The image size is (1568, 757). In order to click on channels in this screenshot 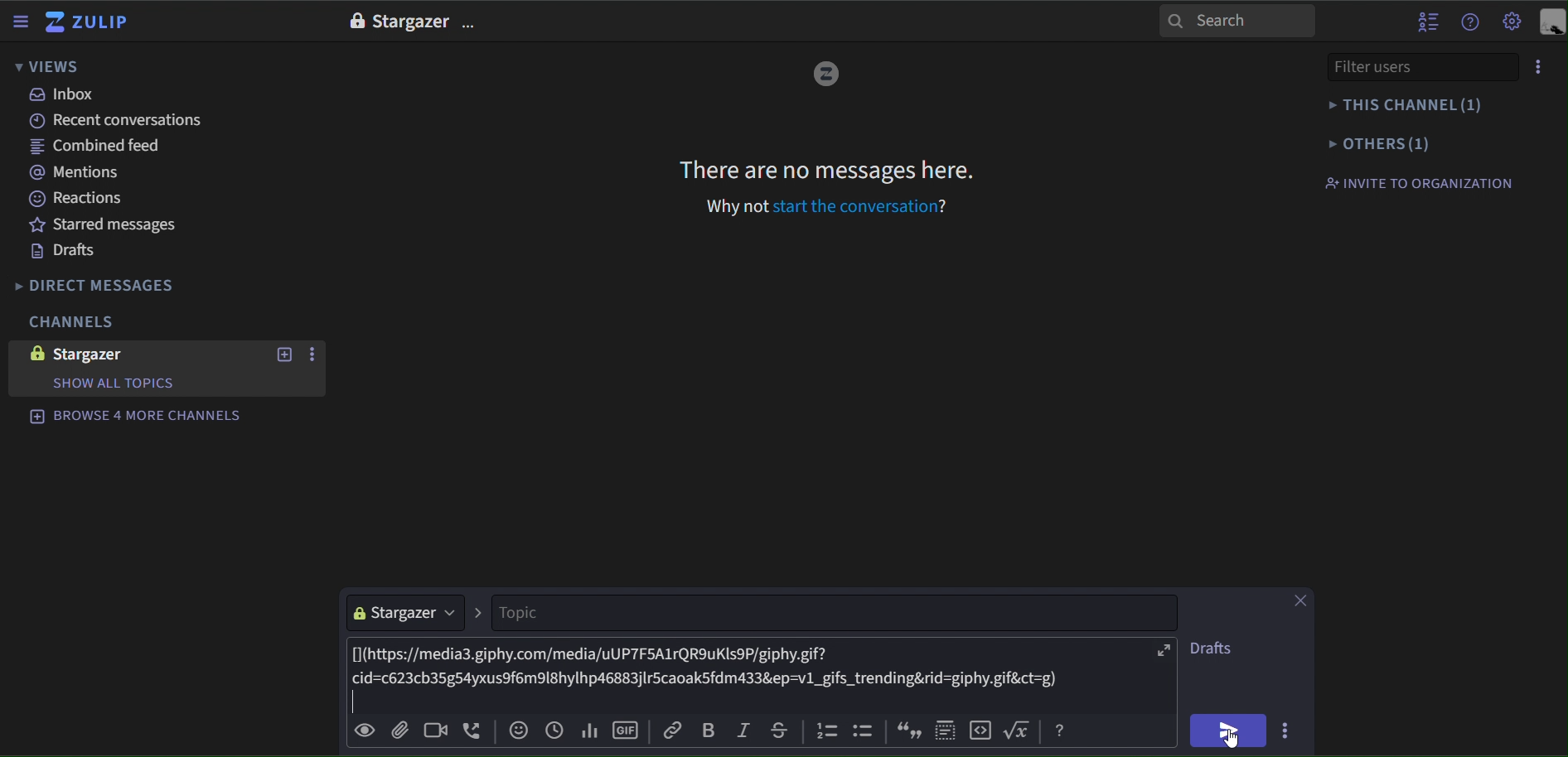, I will do `click(70, 323)`.